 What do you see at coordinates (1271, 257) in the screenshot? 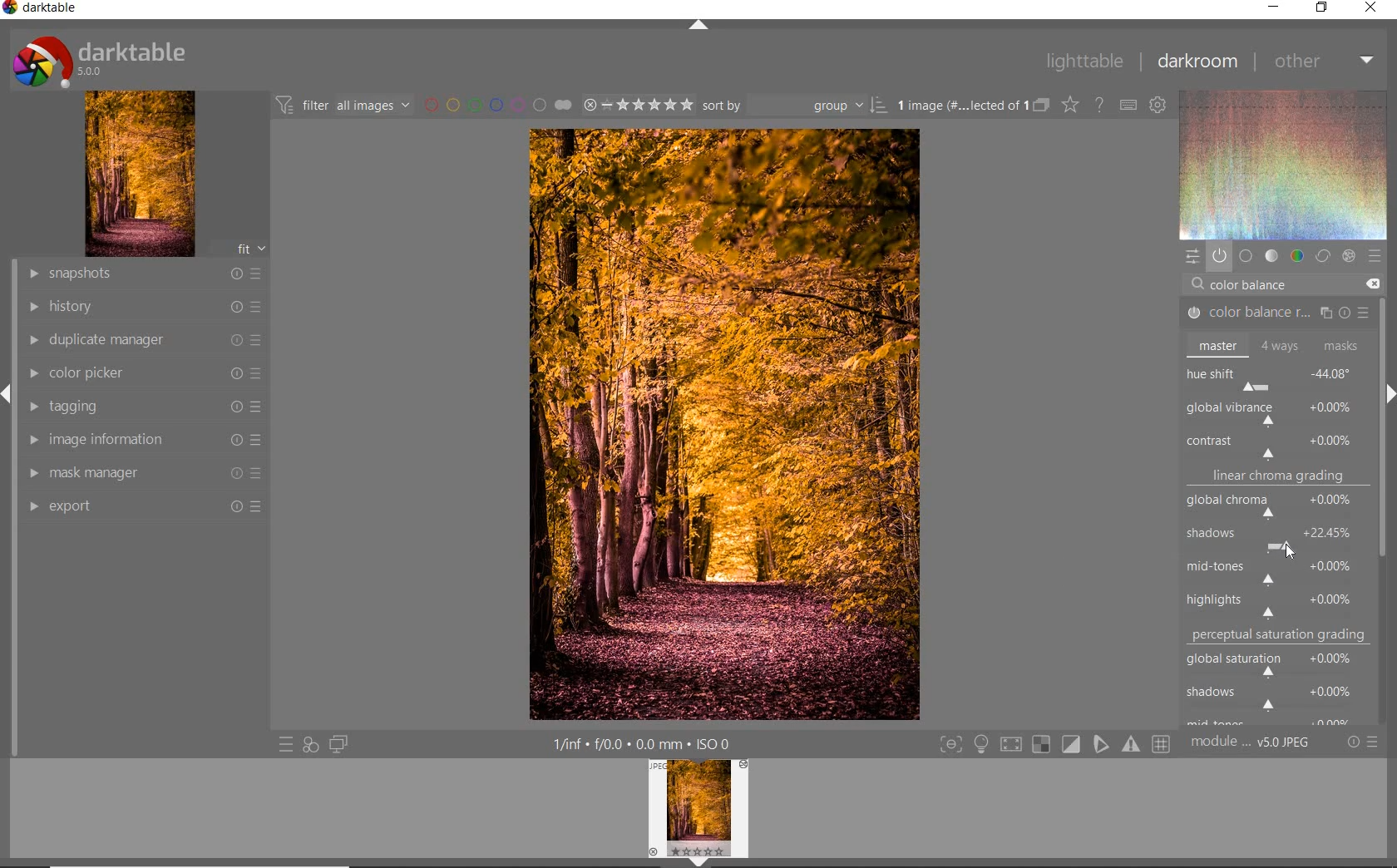
I see `tone` at bounding box center [1271, 257].